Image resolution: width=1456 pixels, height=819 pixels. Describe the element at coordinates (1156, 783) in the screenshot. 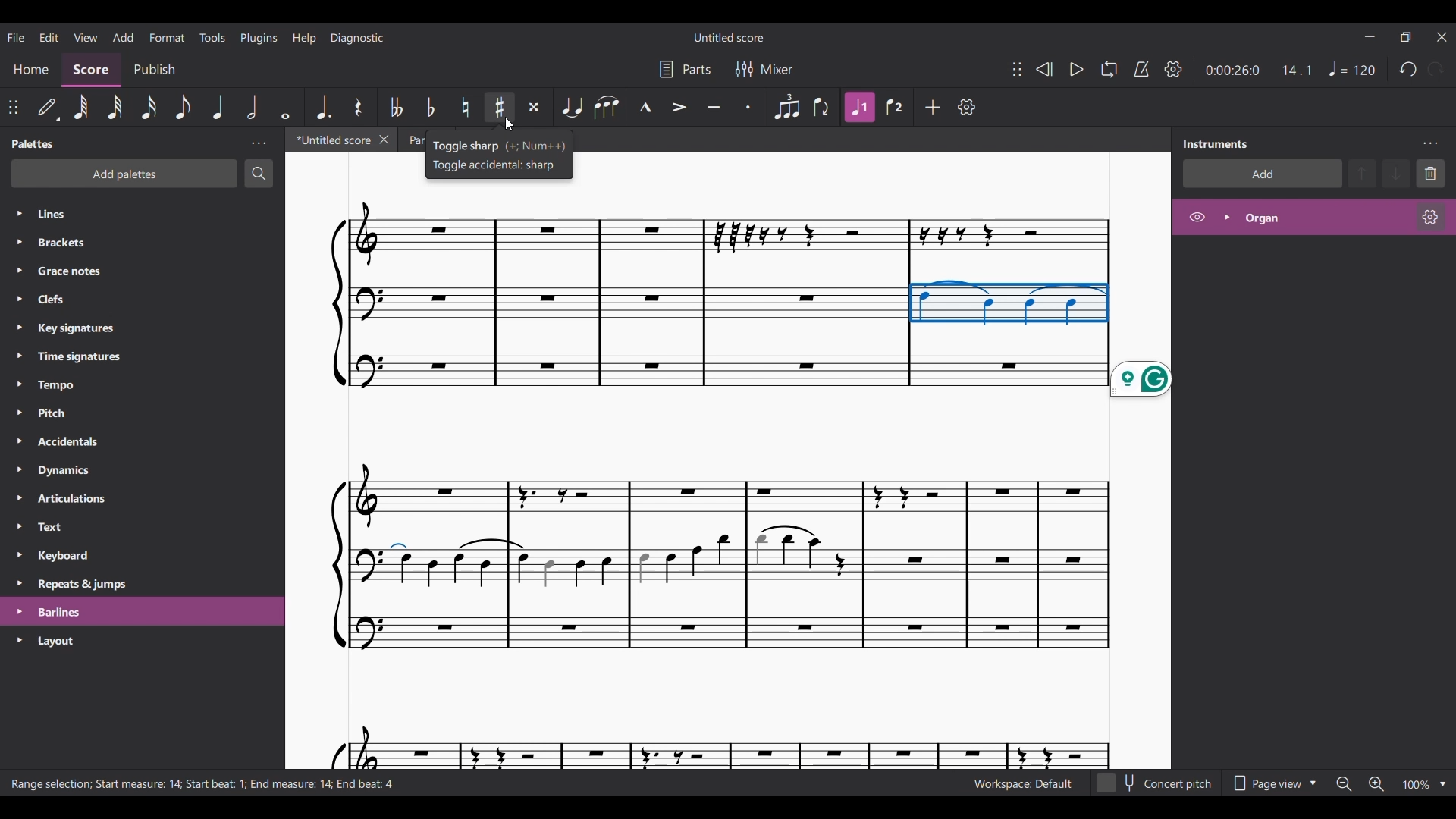

I see `Toggle Concert pitch` at that location.